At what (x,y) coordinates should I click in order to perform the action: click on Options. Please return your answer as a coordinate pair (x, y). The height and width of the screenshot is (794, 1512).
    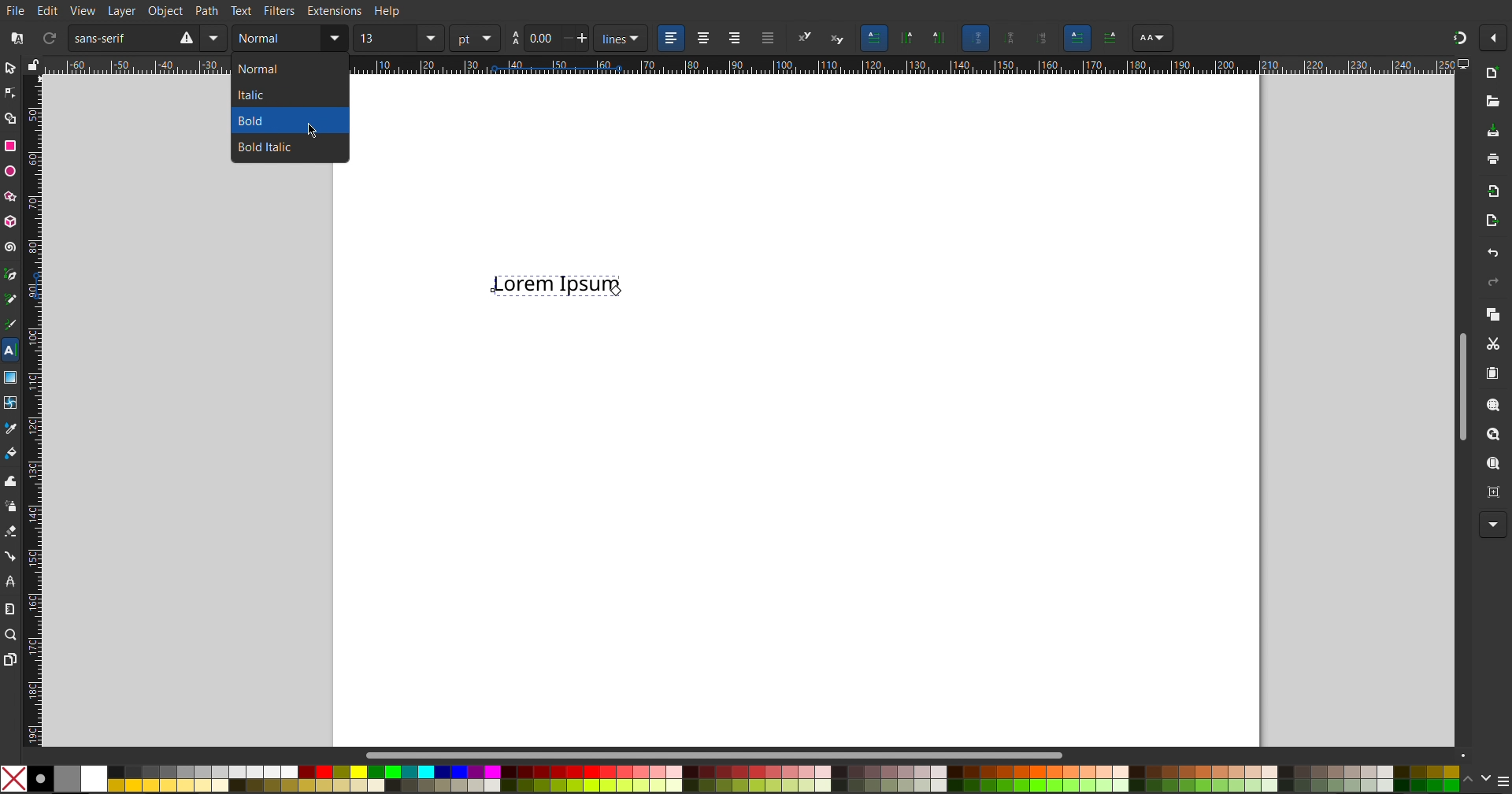
    Looking at the image, I should click on (1496, 39).